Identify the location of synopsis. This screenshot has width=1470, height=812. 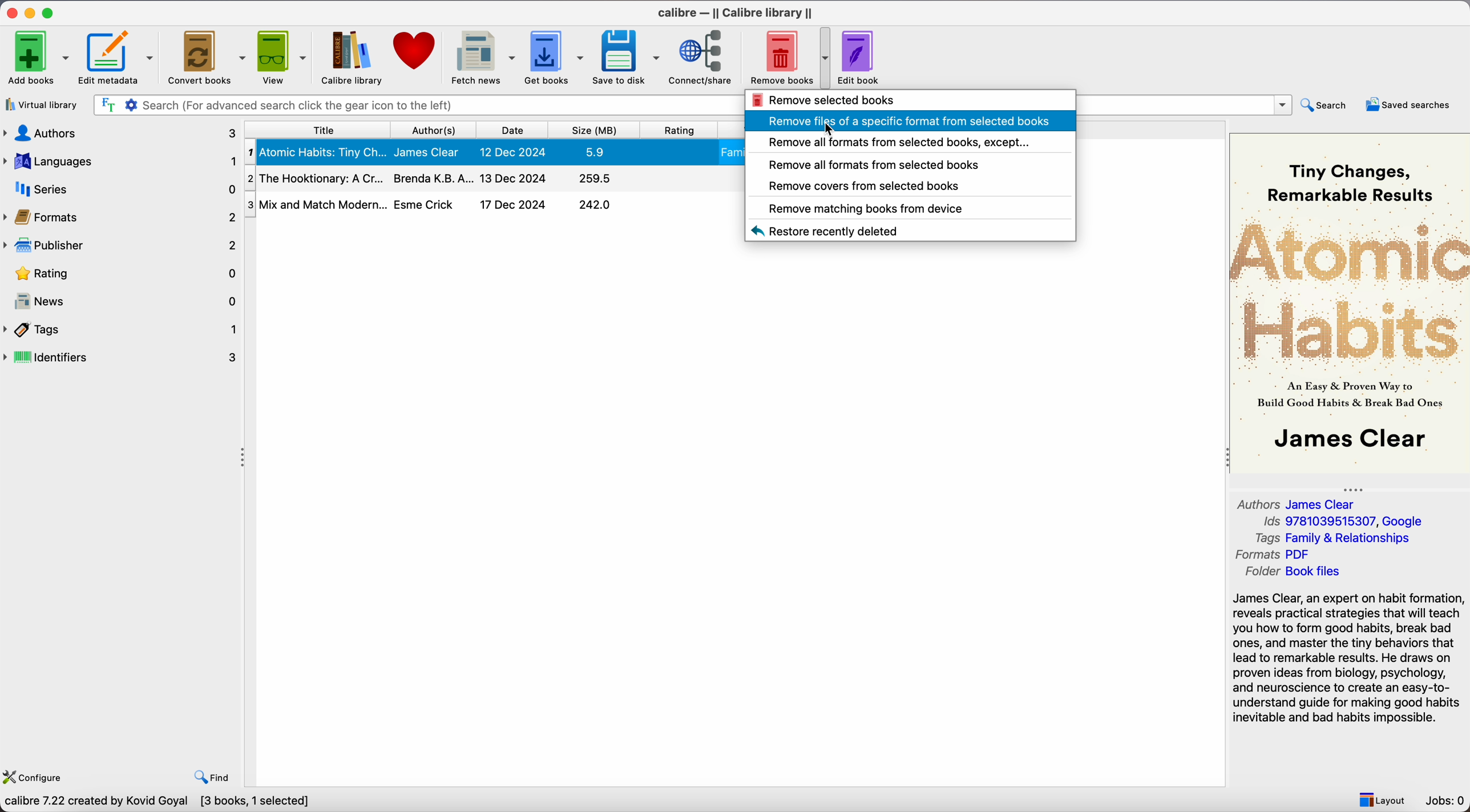
(1348, 660).